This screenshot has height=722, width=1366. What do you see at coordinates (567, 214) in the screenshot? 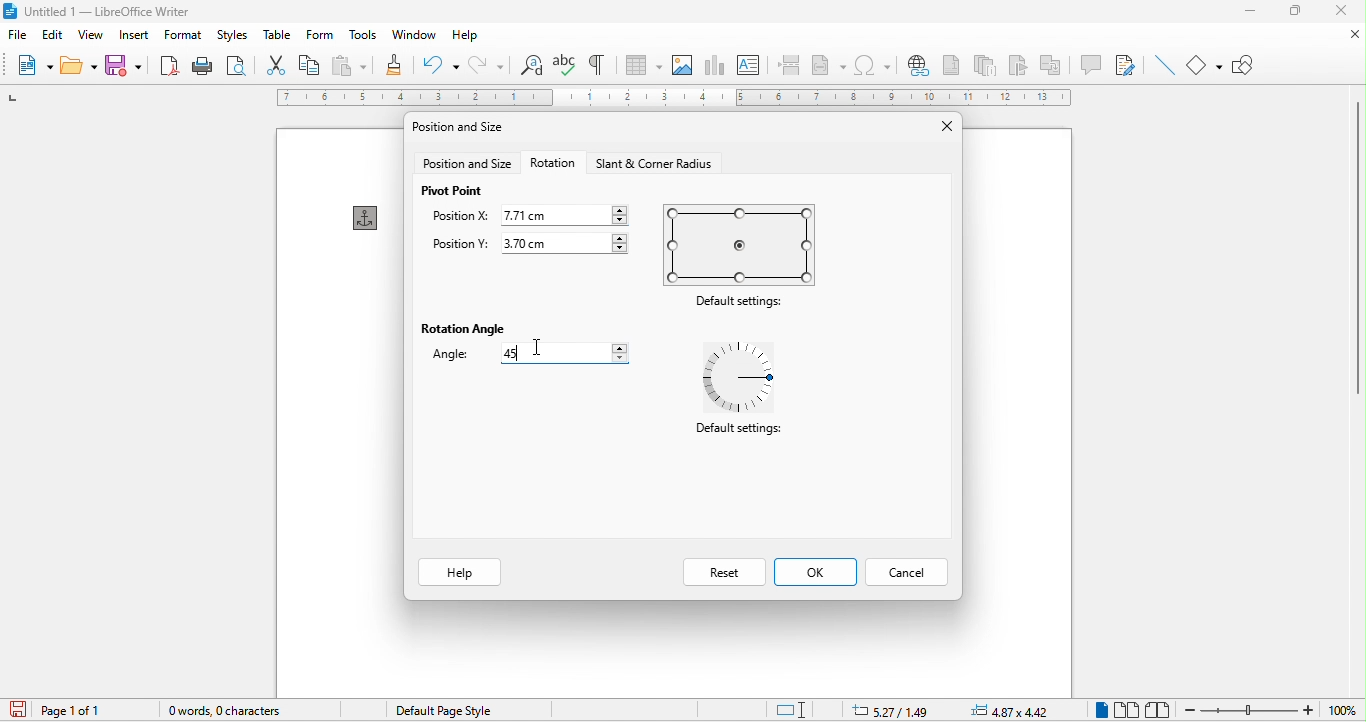
I see `7.71 cm` at bounding box center [567, 214].